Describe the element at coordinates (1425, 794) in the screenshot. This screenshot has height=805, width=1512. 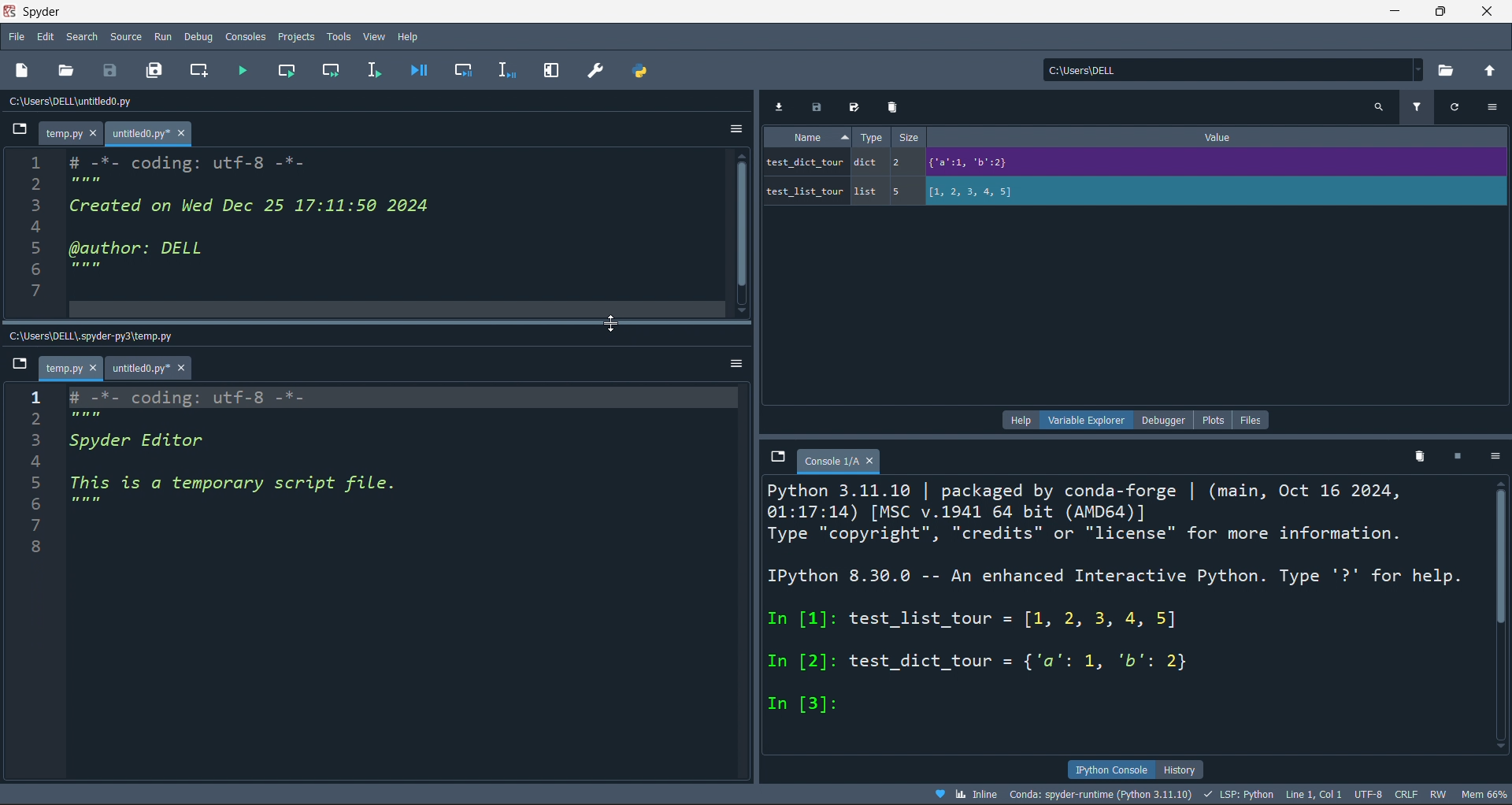
I see `CRF RW` at that location.